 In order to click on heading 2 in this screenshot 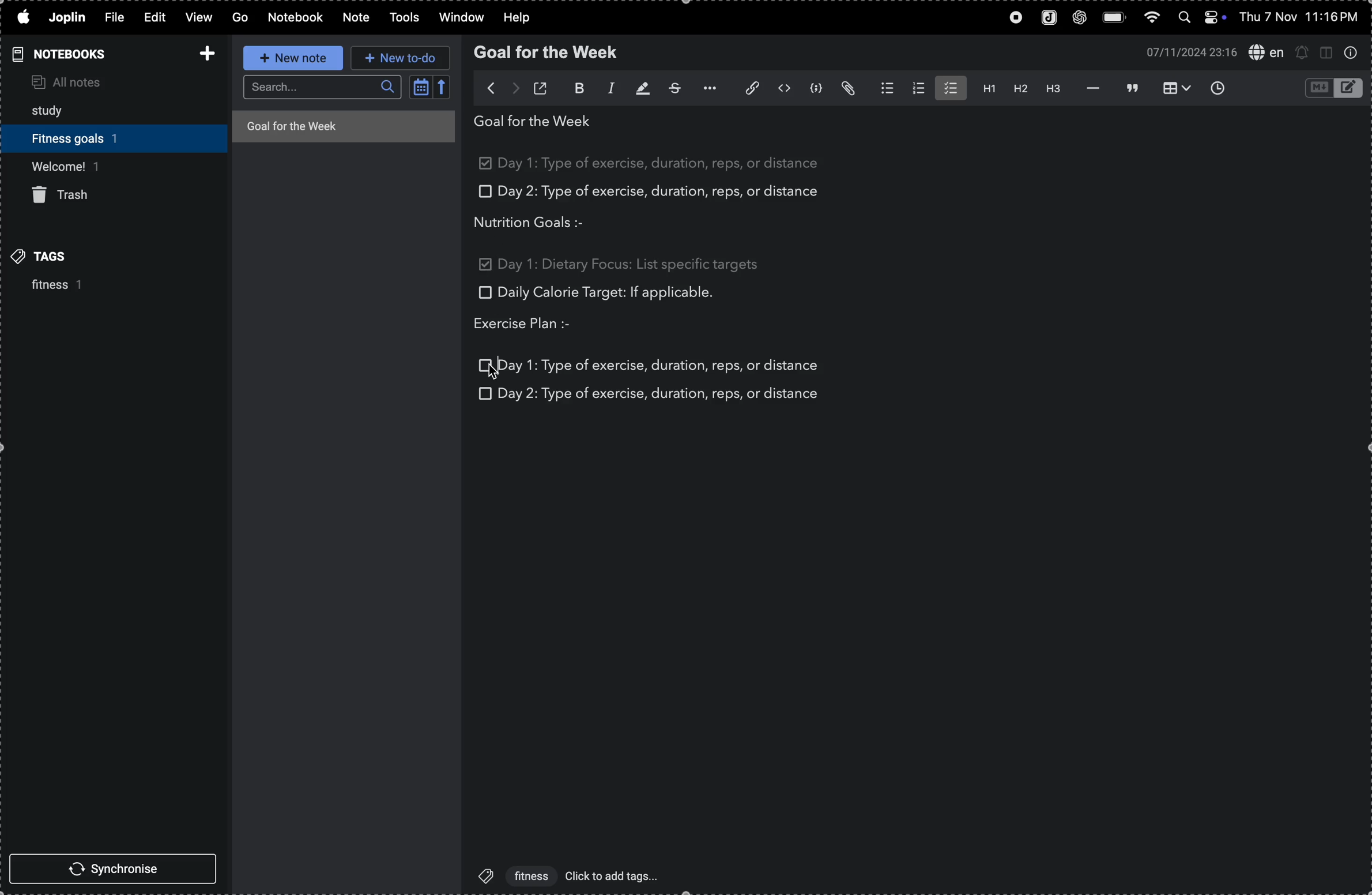, I will do `click(1017, 88)`.